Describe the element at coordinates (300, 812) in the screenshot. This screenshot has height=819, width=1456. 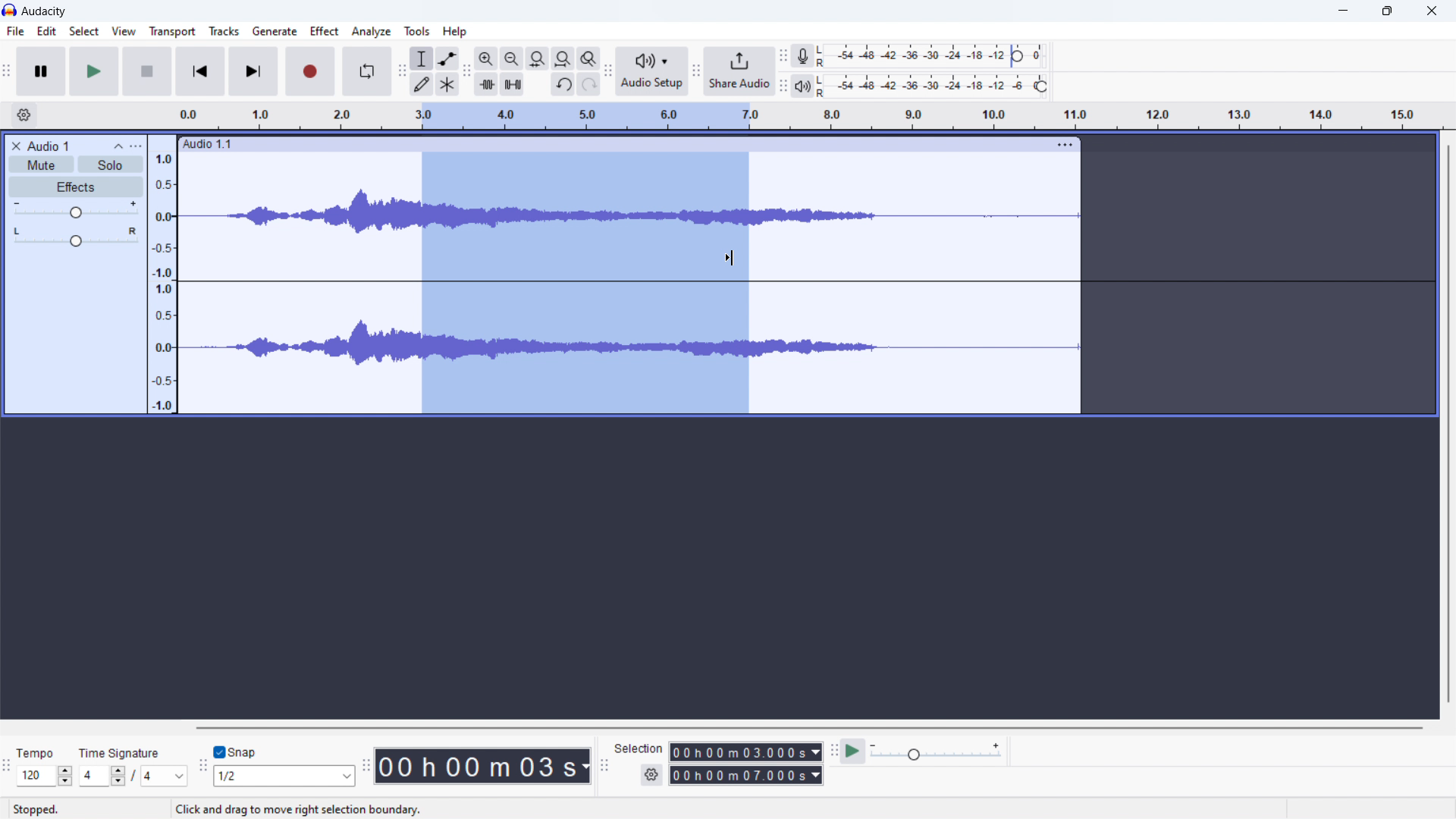
I see `Click and drag to move right selection boundary.` at that location.